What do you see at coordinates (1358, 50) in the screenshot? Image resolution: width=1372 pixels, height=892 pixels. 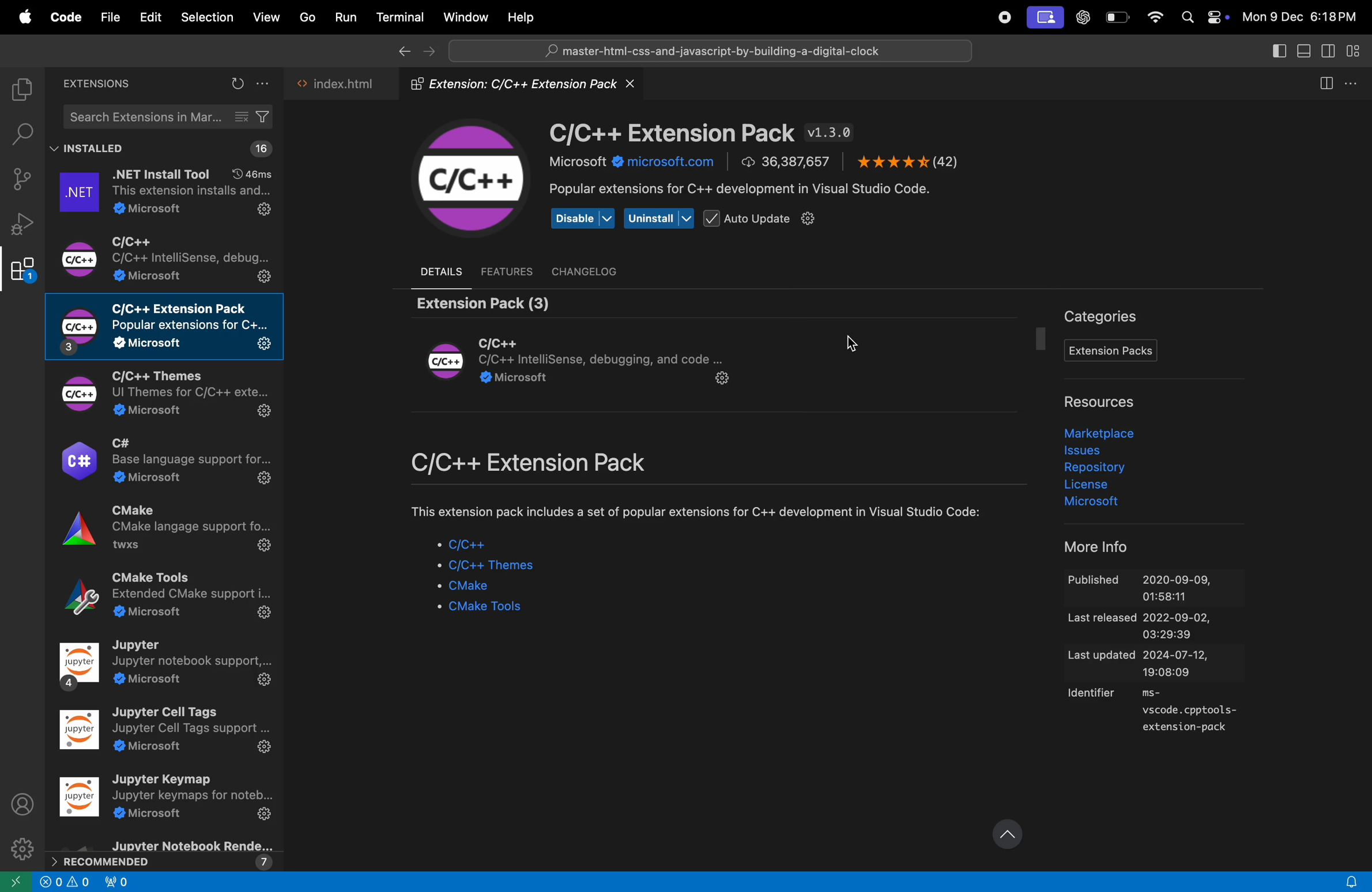 I see `customize layout` at bounding box center [1358, 50].